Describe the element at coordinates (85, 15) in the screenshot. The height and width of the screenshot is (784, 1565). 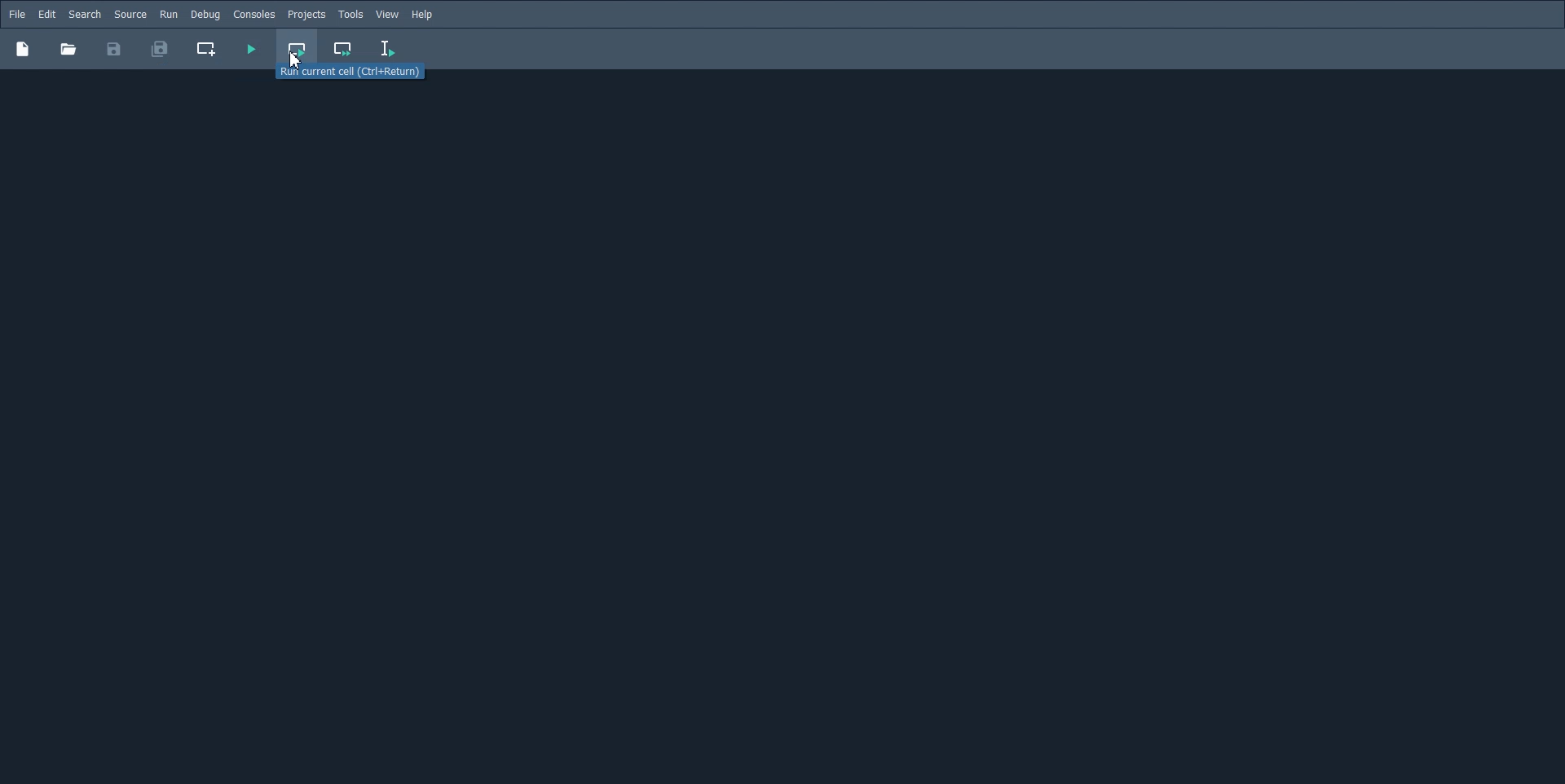
I see `Search` at that location.